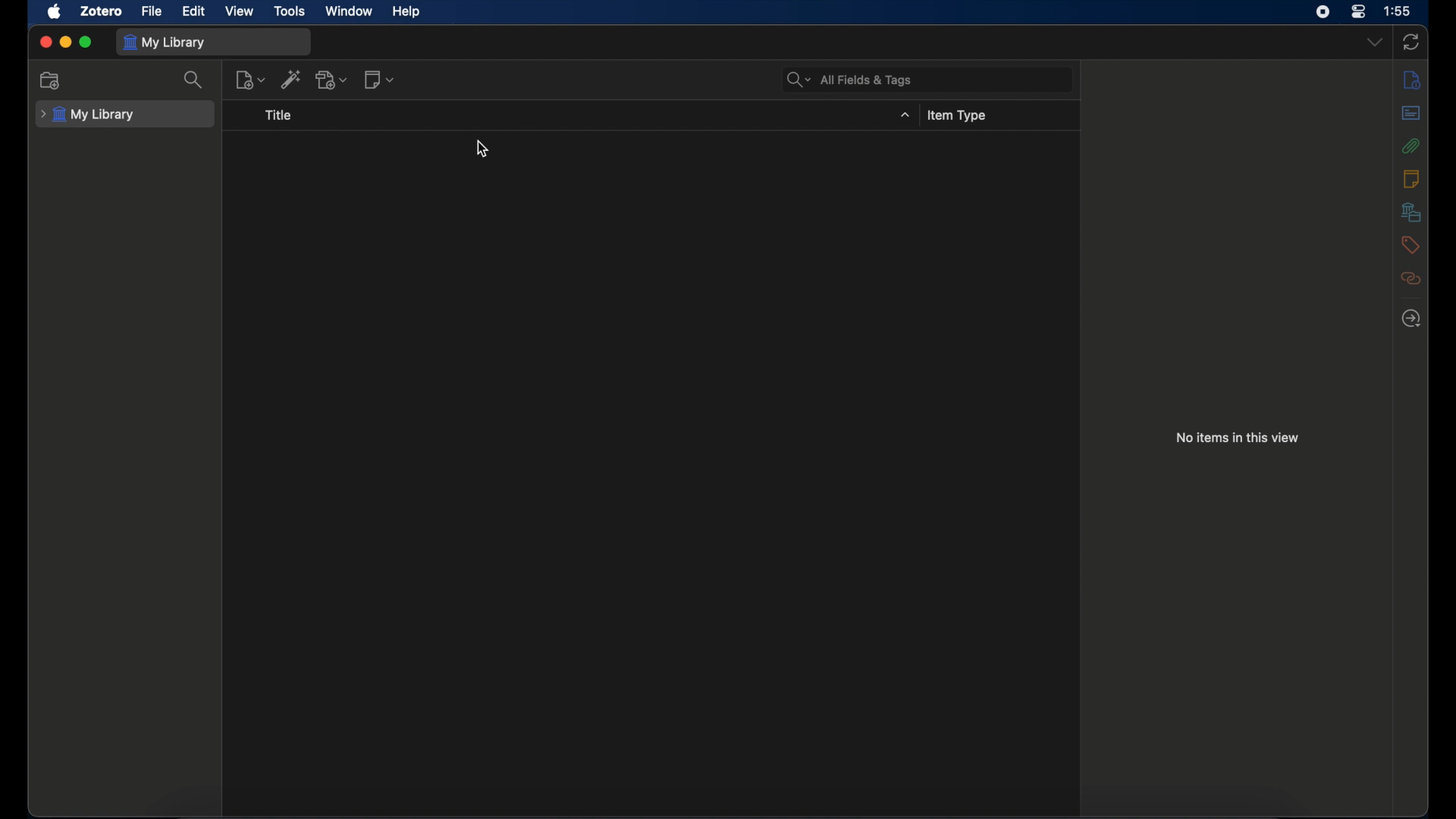  I want to click on sync, so click(1411, 41).